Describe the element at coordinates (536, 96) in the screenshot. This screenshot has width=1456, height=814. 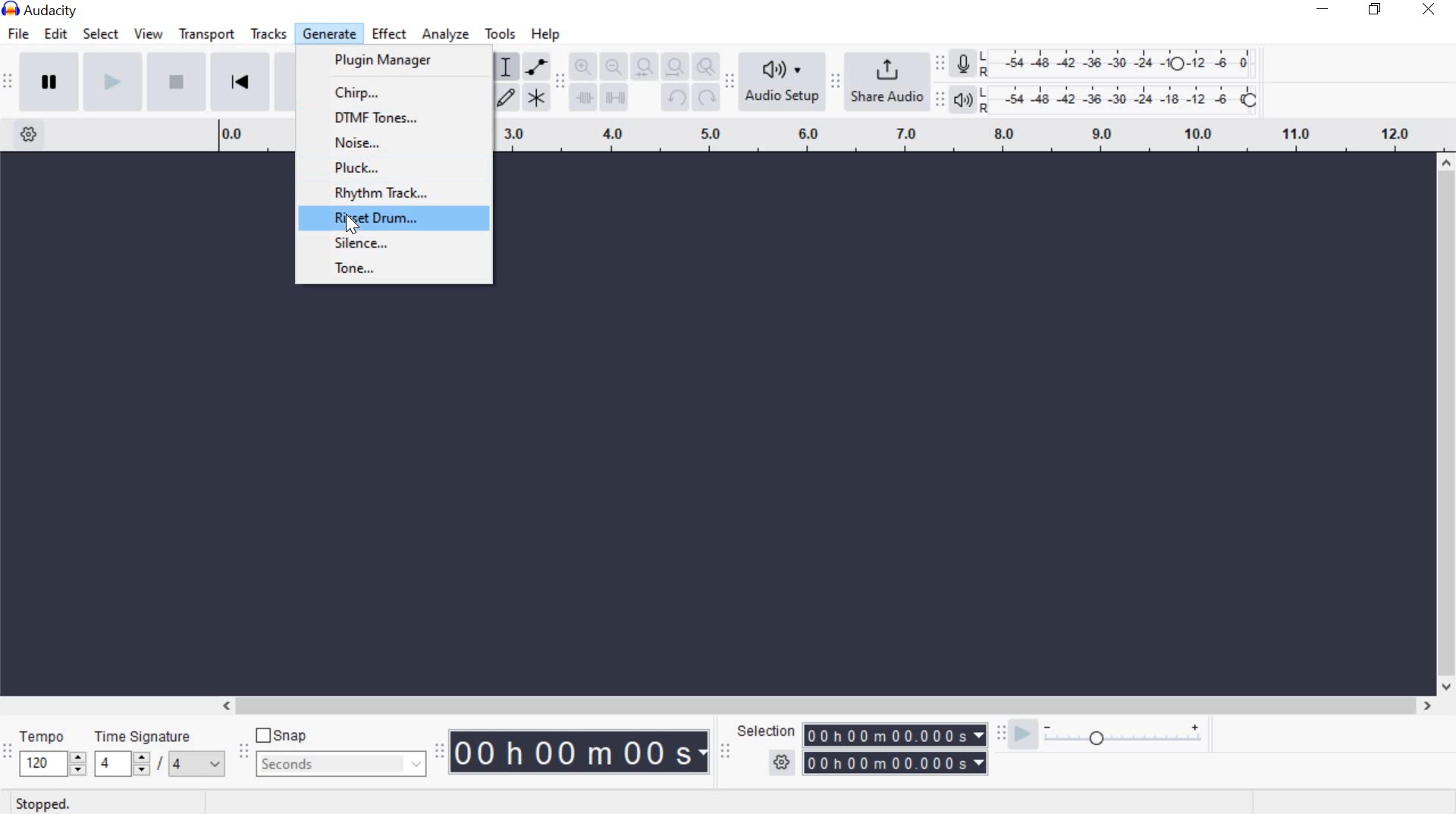
I see `Multi-Tool` at that location.